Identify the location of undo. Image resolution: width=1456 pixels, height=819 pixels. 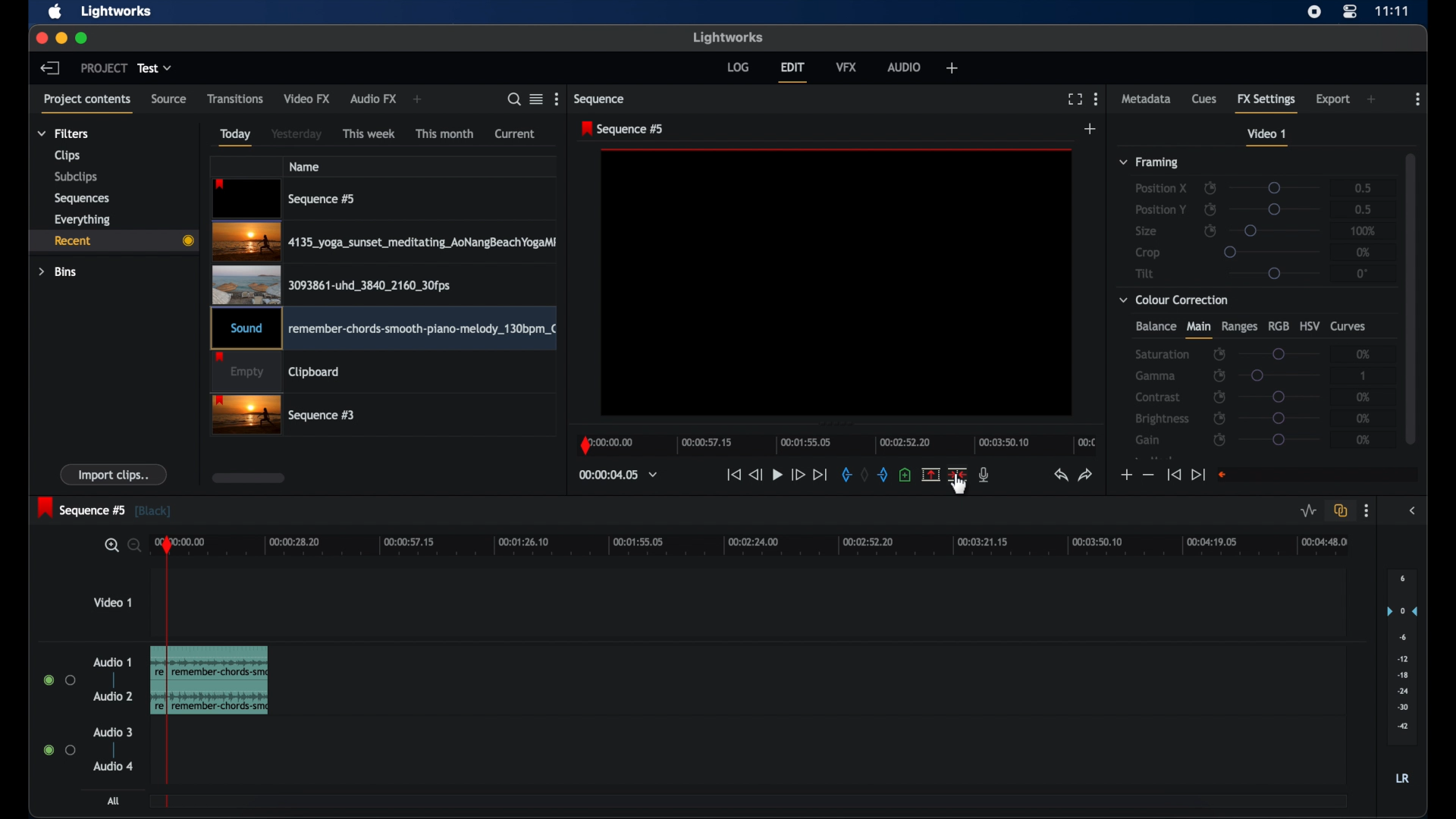
(1061, 475).